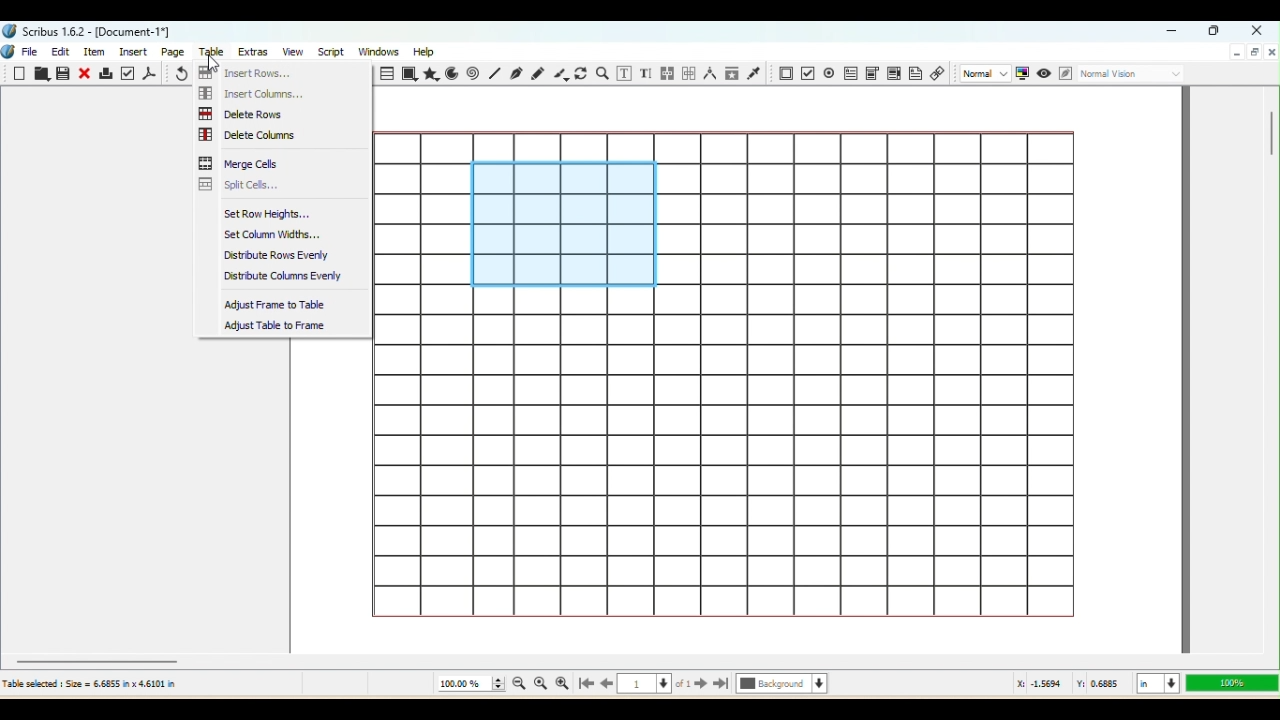 The width and height of the screenshot is (1280, 720). What do you see at coordinates (90, 683) in the screenshot?
I see `Table selected Size 6.6855 in x 4.6101 in` at bounding box center [90, 683].